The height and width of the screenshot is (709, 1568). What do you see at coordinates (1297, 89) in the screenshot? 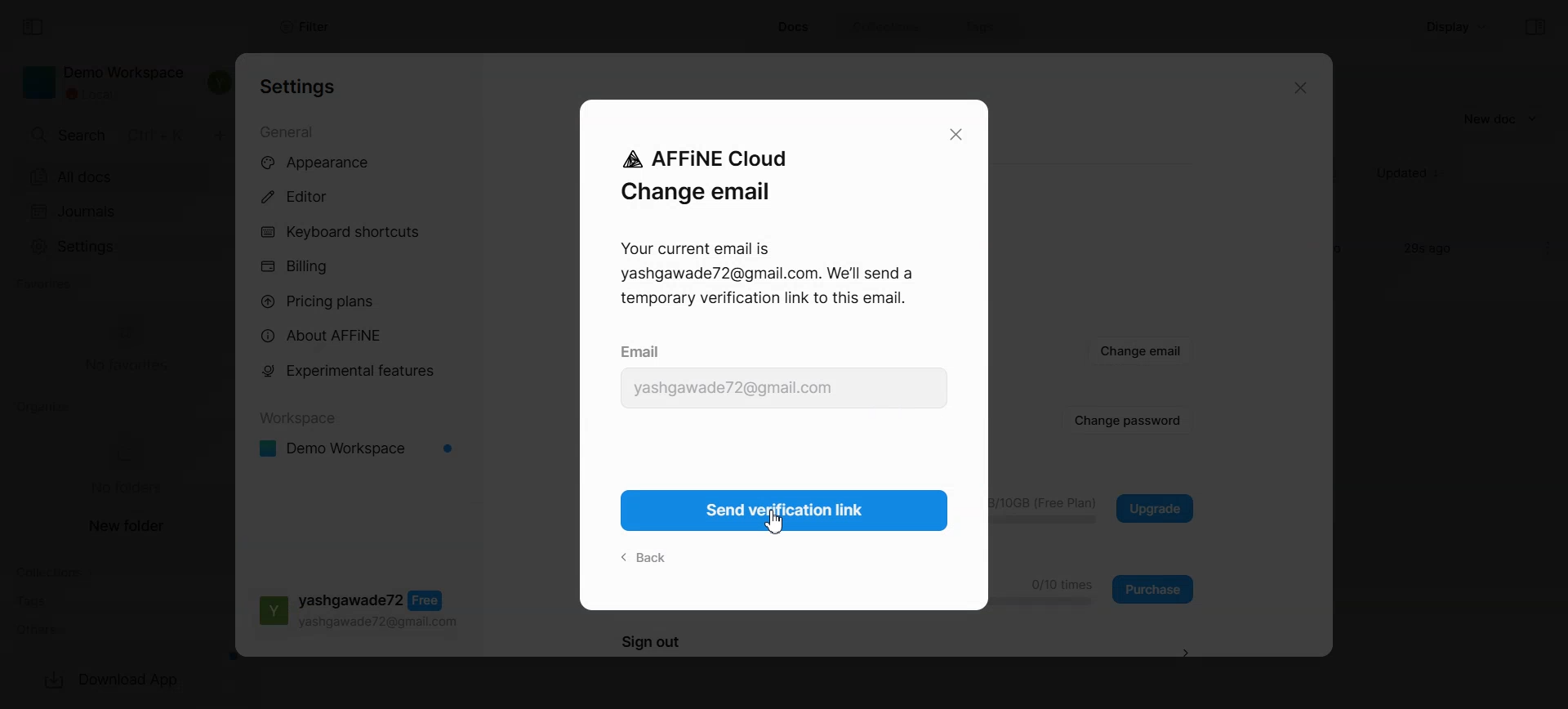
I see `Close` at bounding box center [1297, 89].